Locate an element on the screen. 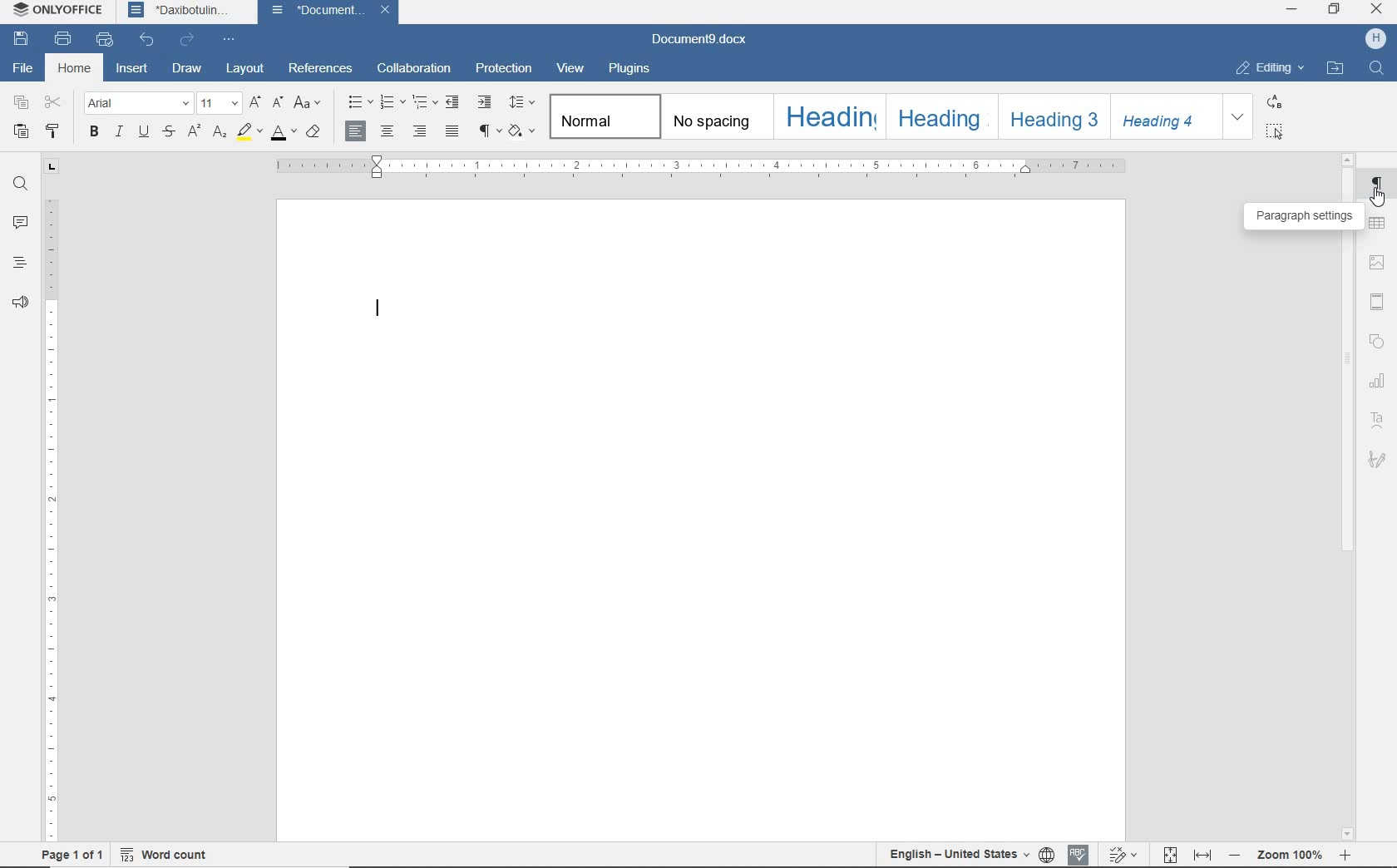 The width and height of the screenshot is (1397, 868). text language is located at coordinates (955, 855).